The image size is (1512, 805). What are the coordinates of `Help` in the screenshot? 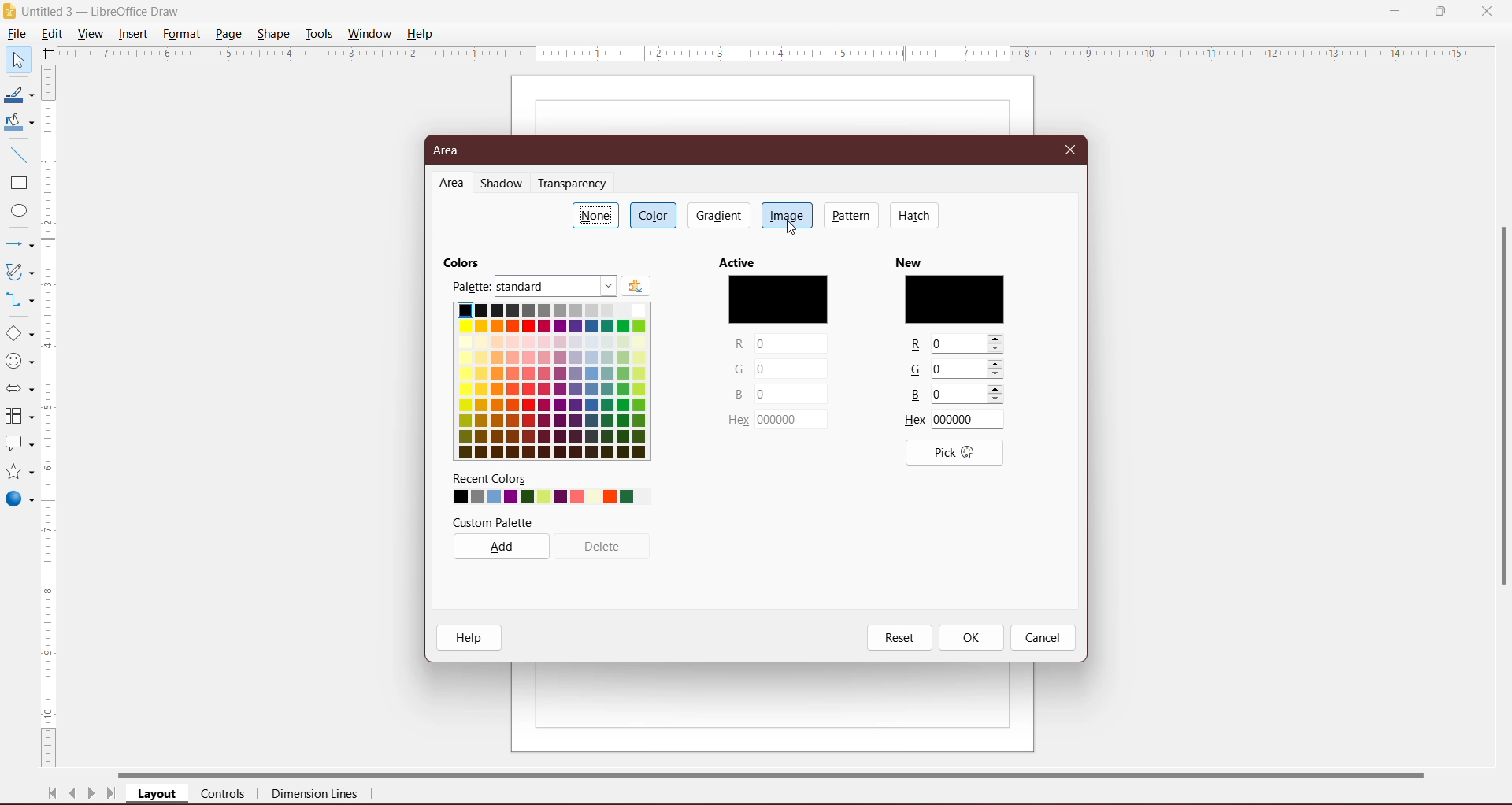 It's located at (422, 33).